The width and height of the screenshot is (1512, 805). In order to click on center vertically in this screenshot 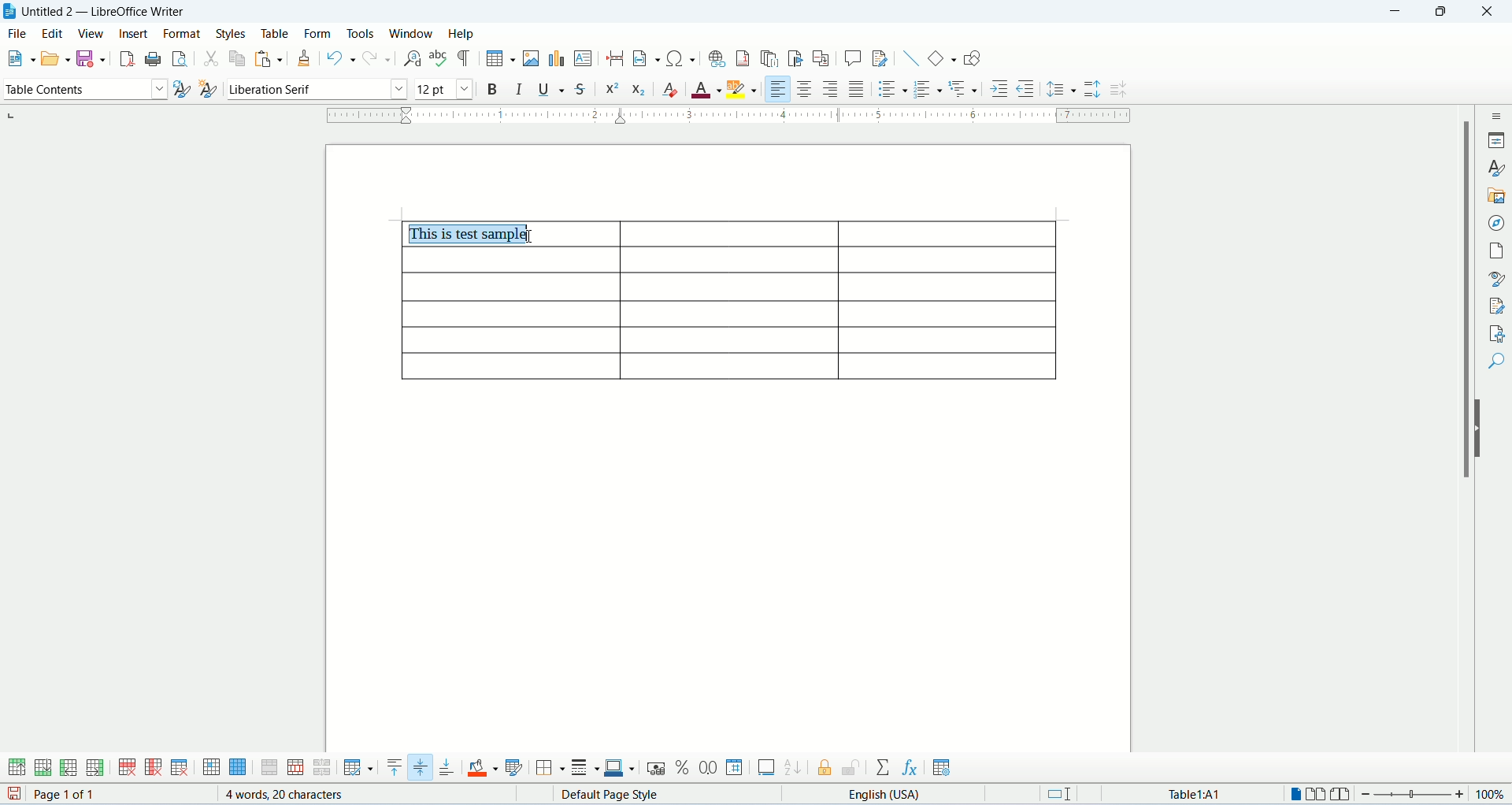, I will do `click(421, 767)`.